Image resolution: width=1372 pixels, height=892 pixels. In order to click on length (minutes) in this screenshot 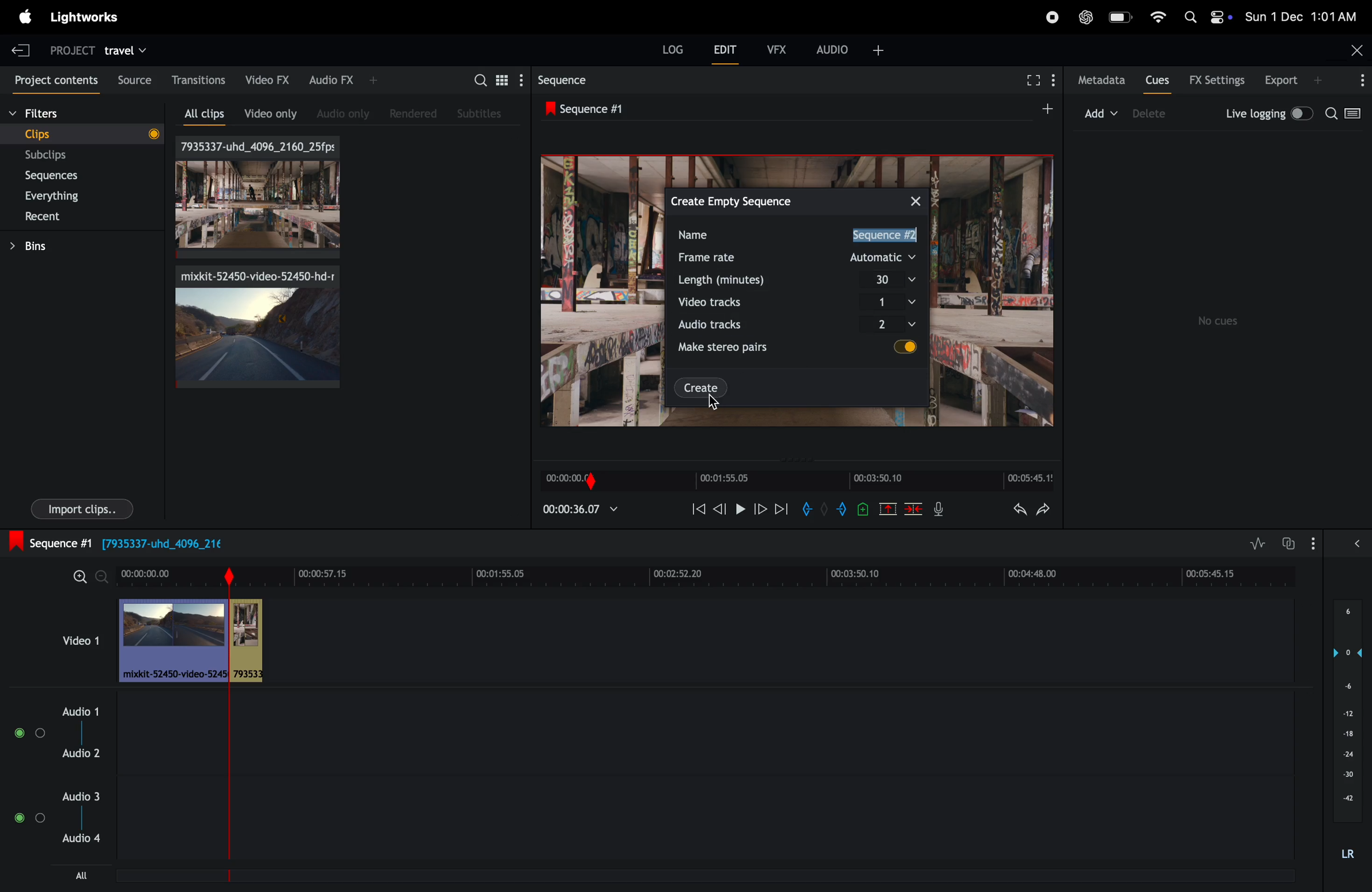, I will do `click(728, 279)`.